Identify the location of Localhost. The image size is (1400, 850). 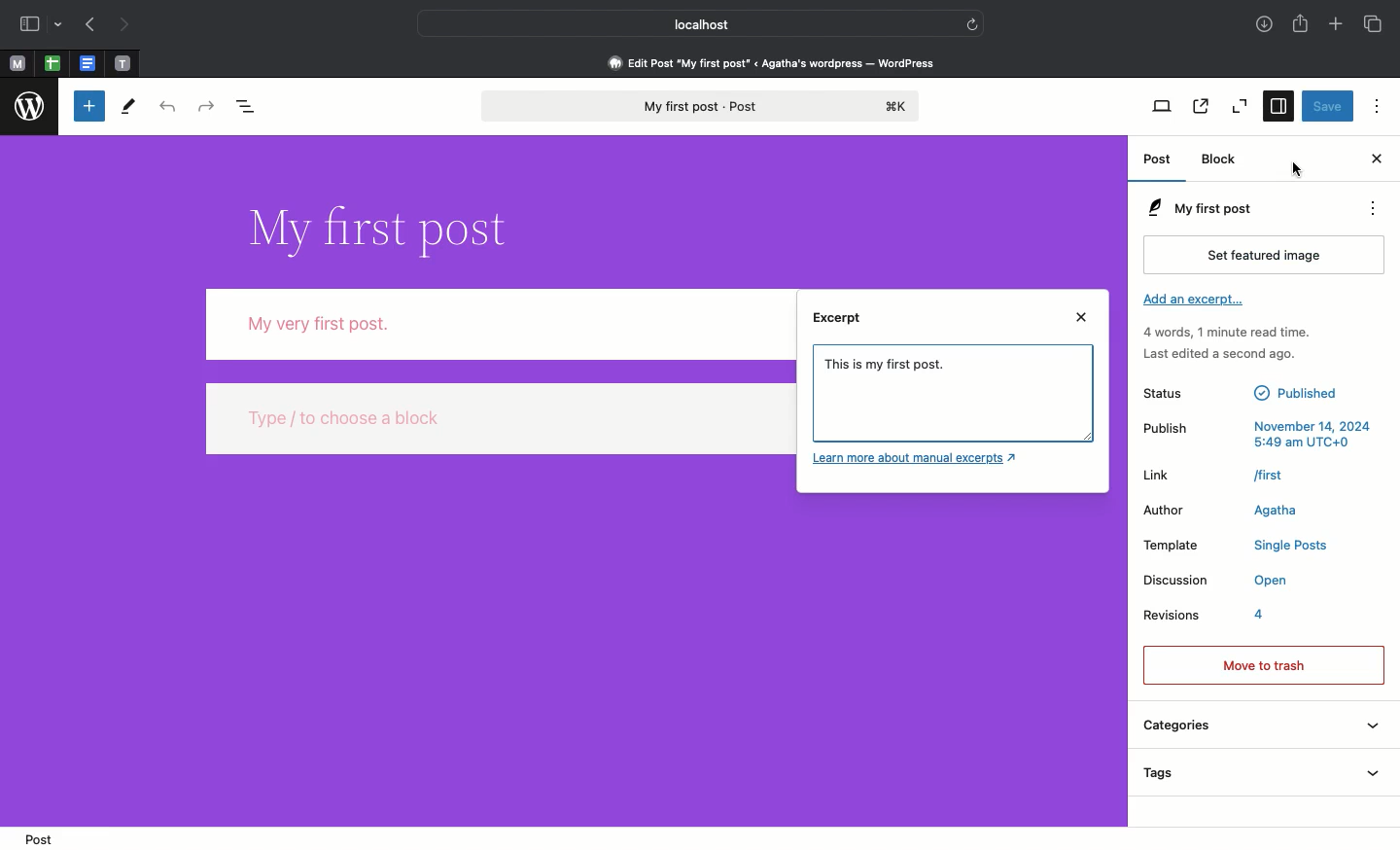
(687, 24).